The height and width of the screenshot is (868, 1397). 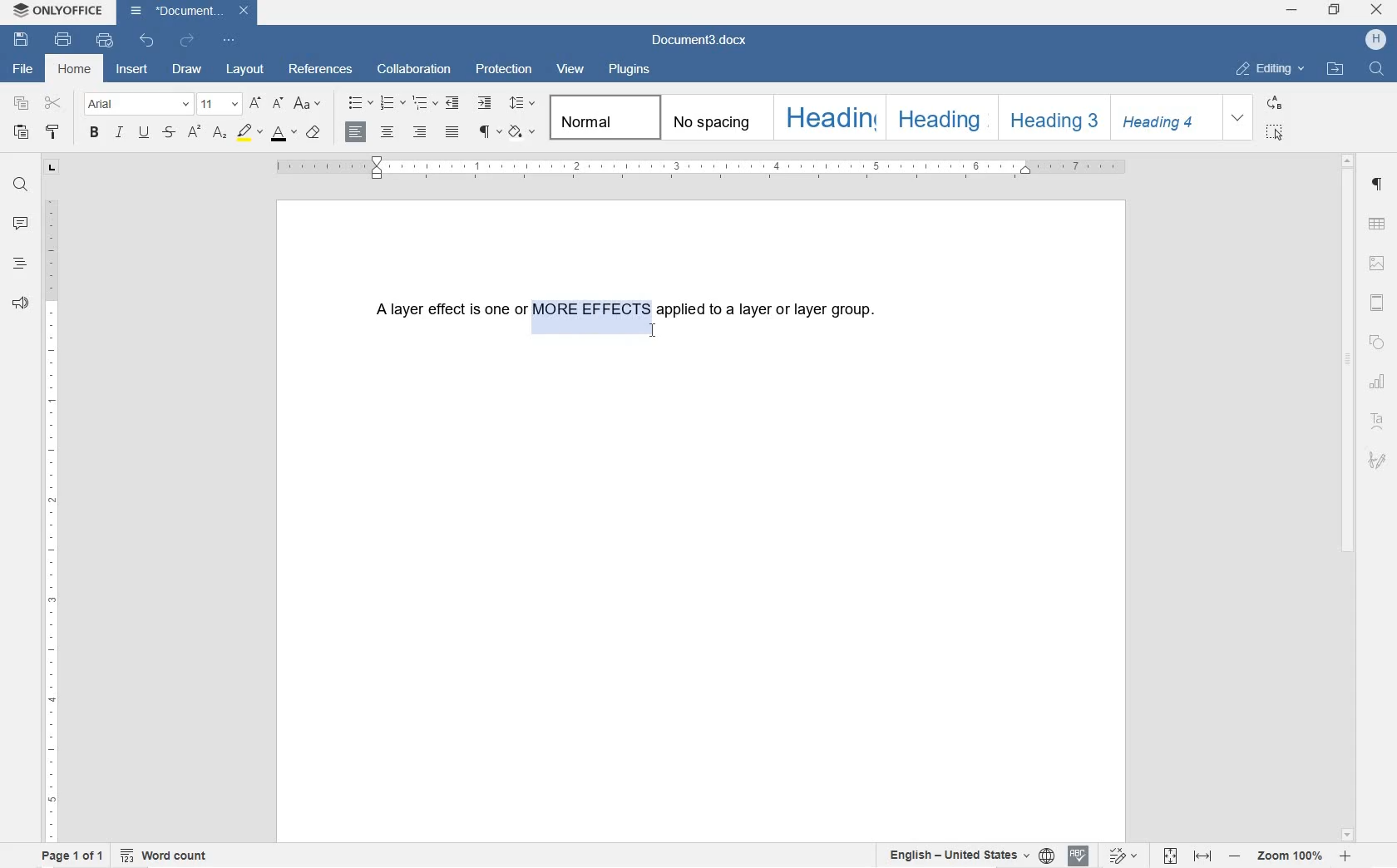 I want to click on PLUGINS, so click(x=629, y=71).